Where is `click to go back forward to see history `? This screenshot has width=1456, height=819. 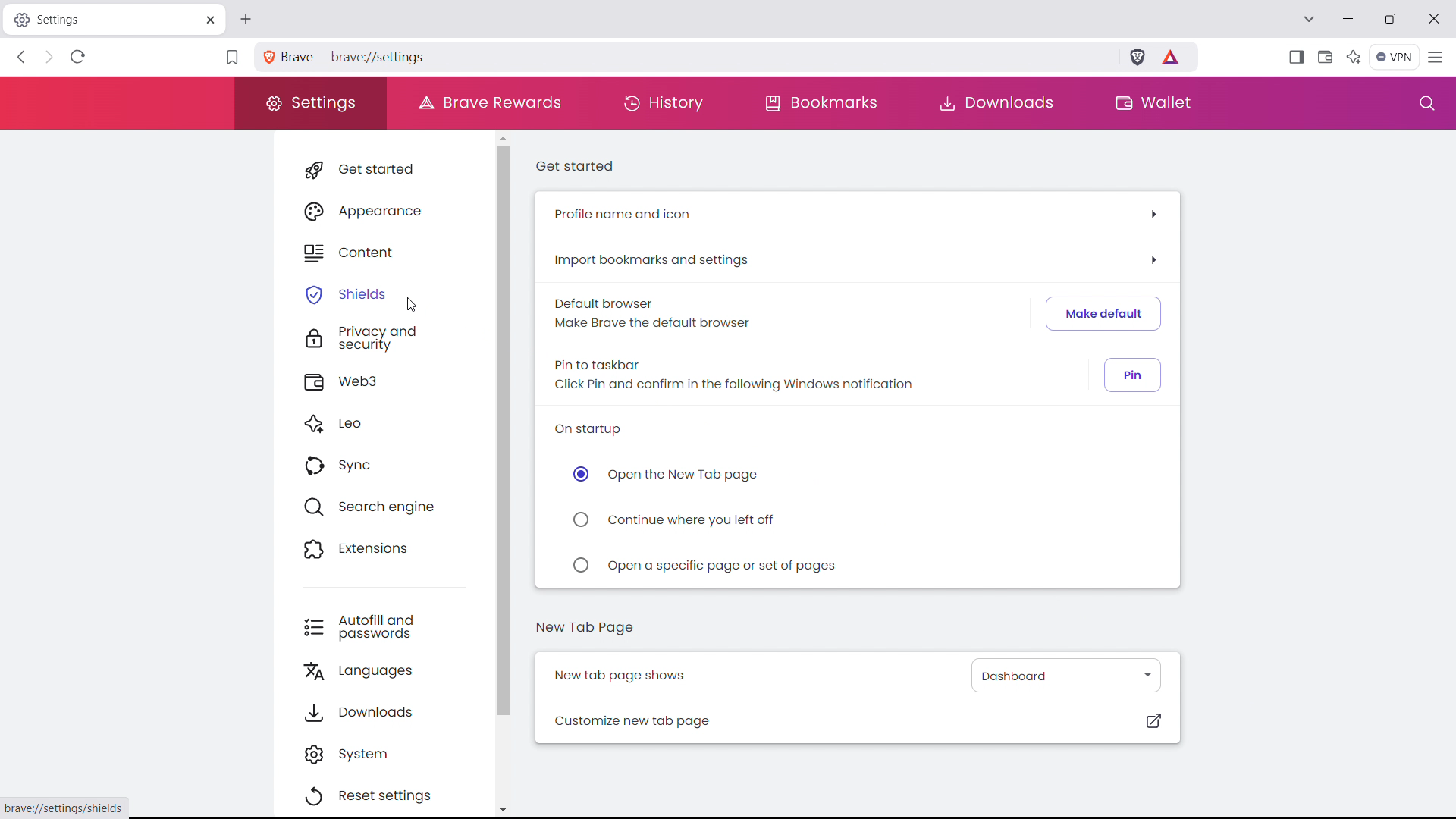
click to go back forward to see history  is located at coordinates (47, 56).